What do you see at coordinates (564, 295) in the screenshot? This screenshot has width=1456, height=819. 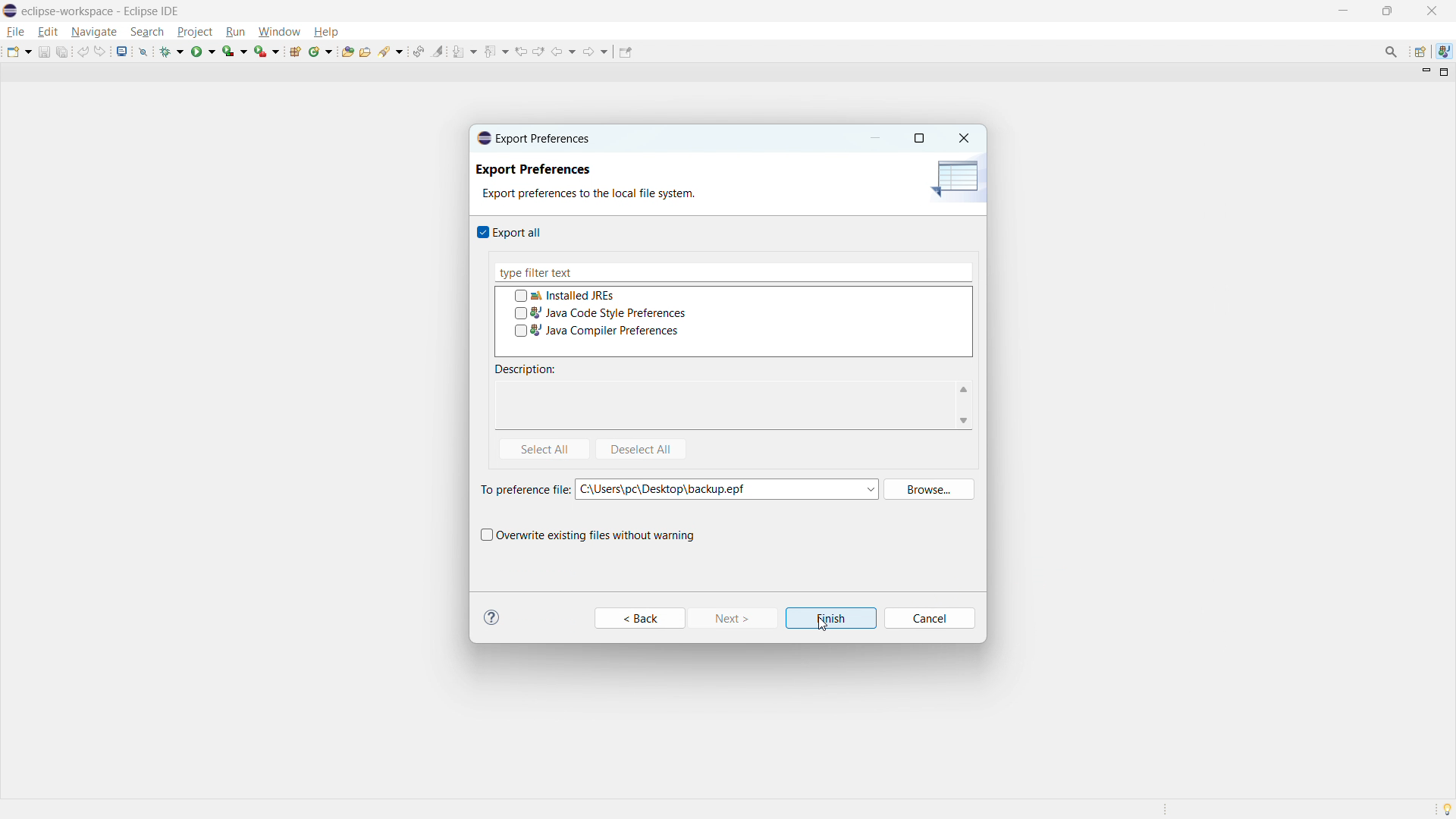 I see `installed JREs` at bounding box center [564, 295].